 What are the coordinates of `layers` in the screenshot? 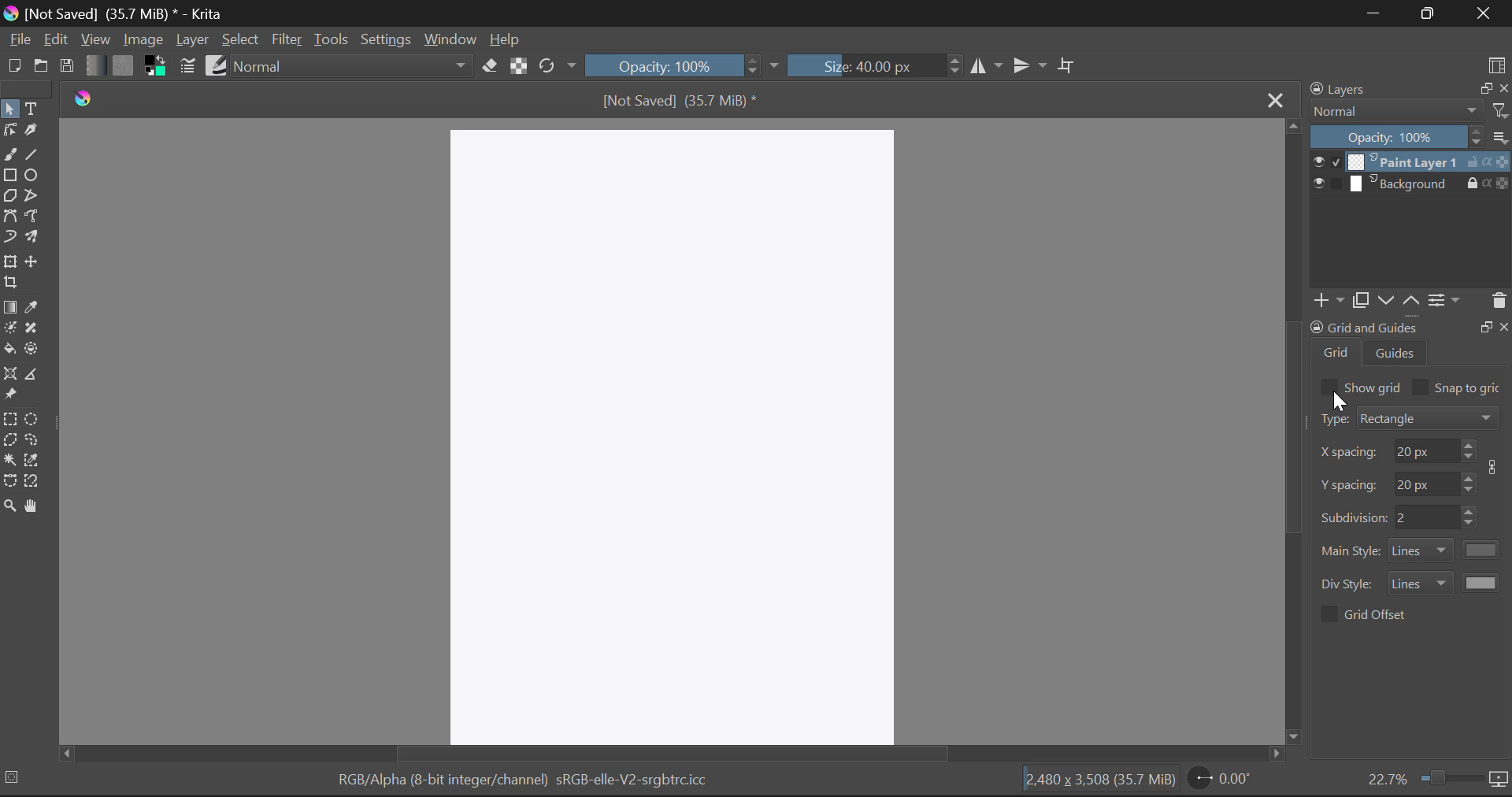 It's located at (1341, 89).